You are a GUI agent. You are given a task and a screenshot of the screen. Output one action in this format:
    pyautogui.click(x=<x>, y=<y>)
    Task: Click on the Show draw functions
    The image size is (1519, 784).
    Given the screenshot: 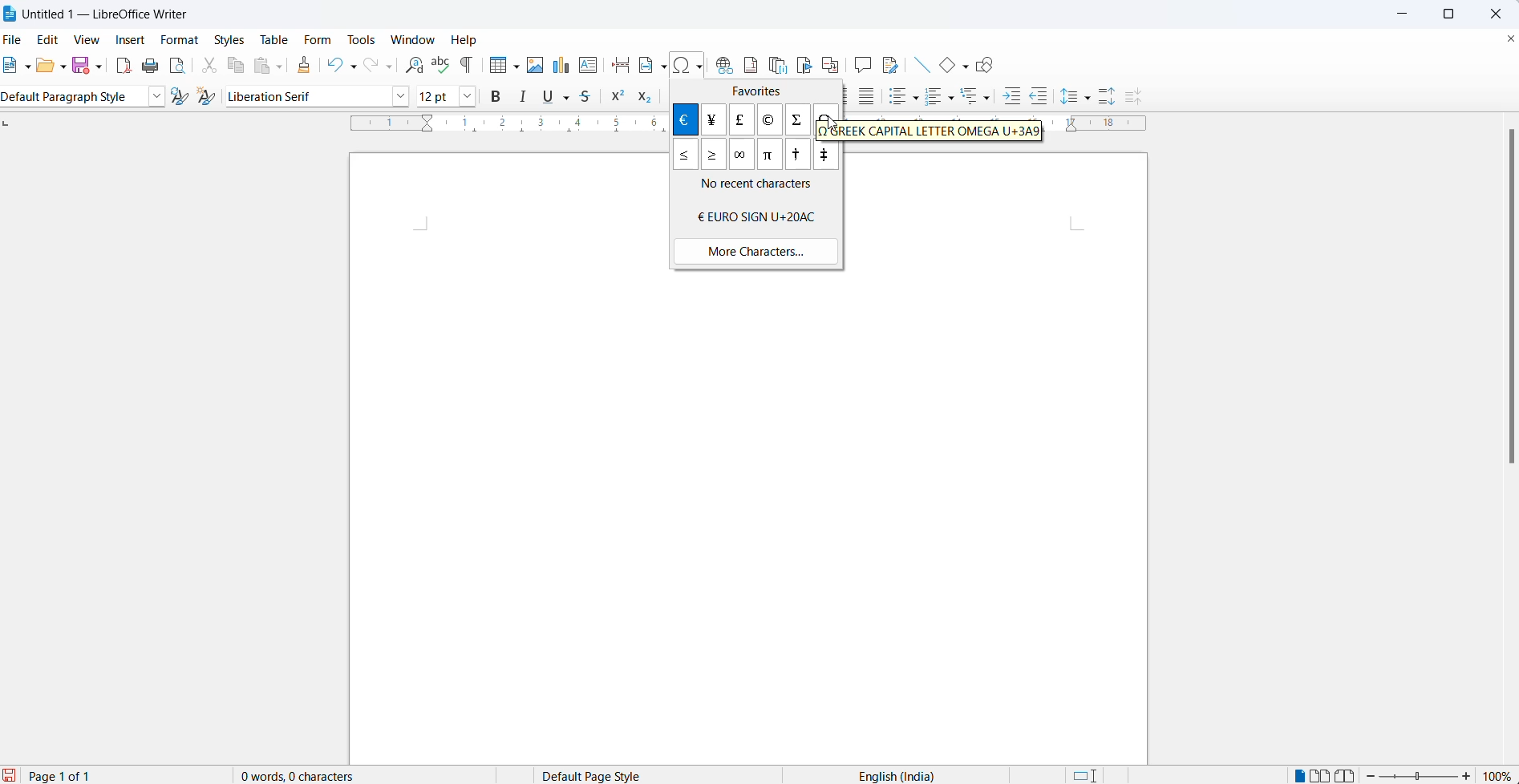 What is the action you would take?
    pyautogui.click(x=990, y=66)
    